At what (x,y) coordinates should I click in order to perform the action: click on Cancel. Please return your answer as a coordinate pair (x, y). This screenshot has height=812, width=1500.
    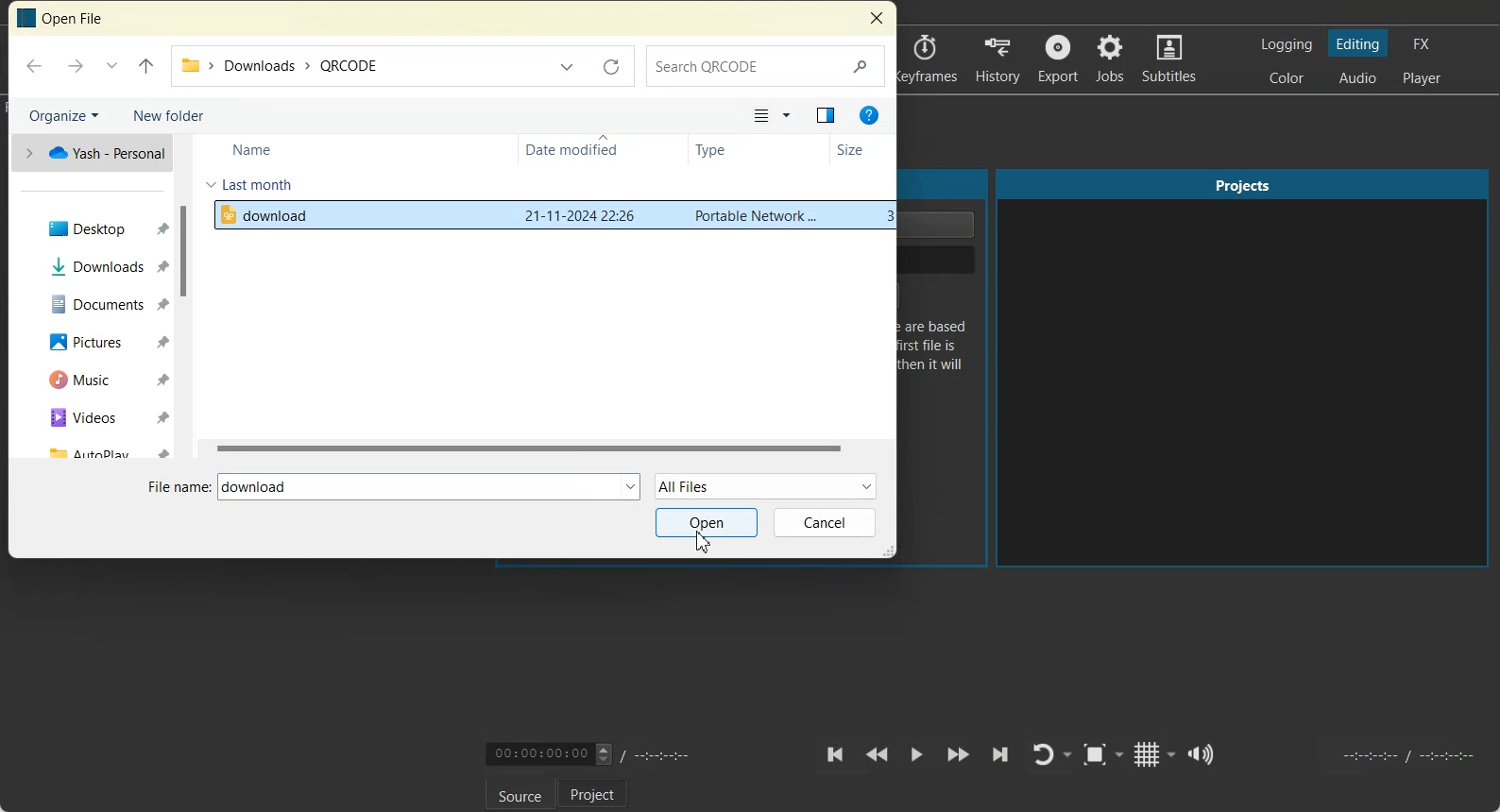
    Looking at the image, I should click on (826, 523).